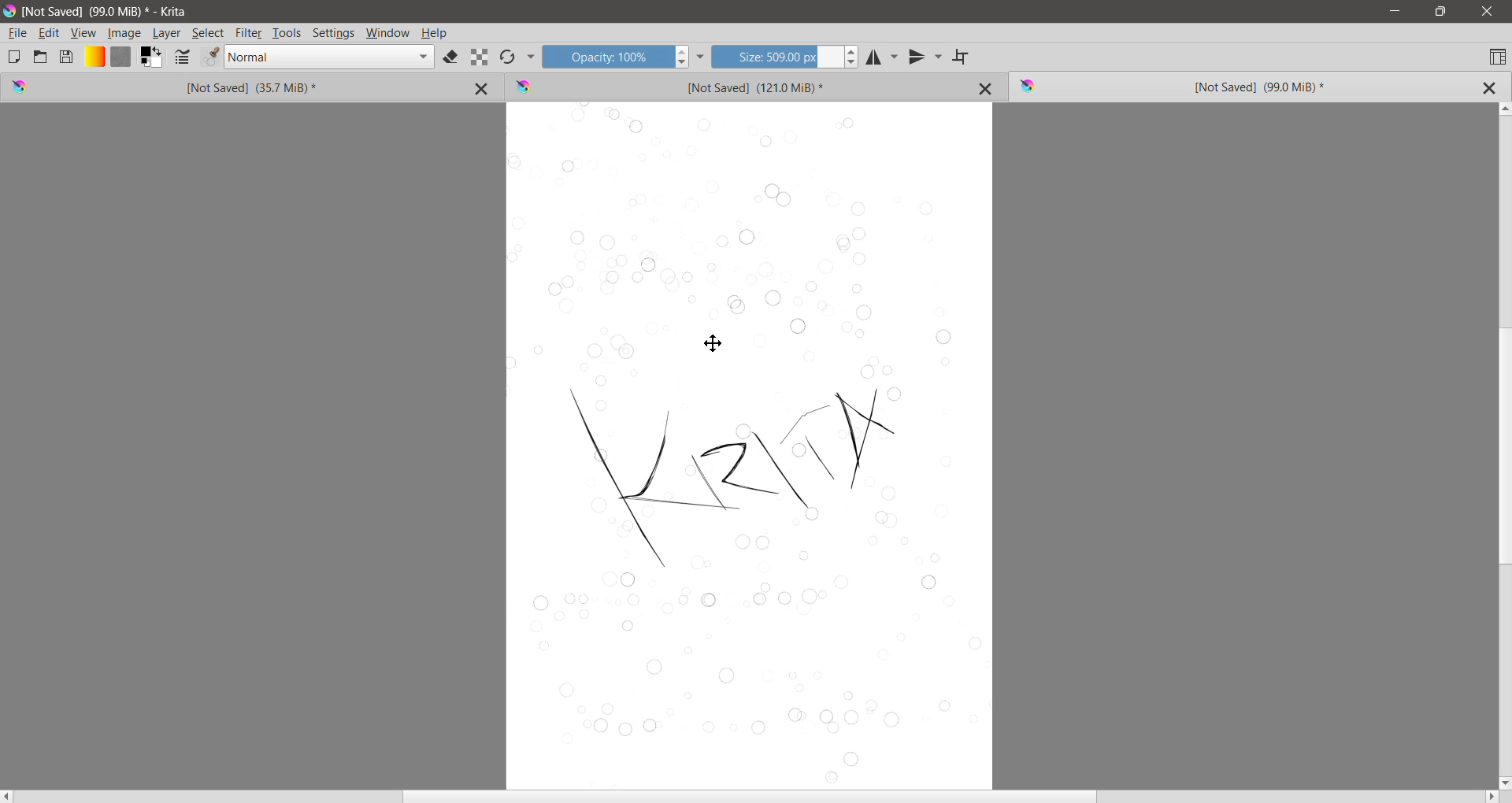 This screenshot has height=803, width=1512. I want to click on Move tool cursor, so click(713, 343).